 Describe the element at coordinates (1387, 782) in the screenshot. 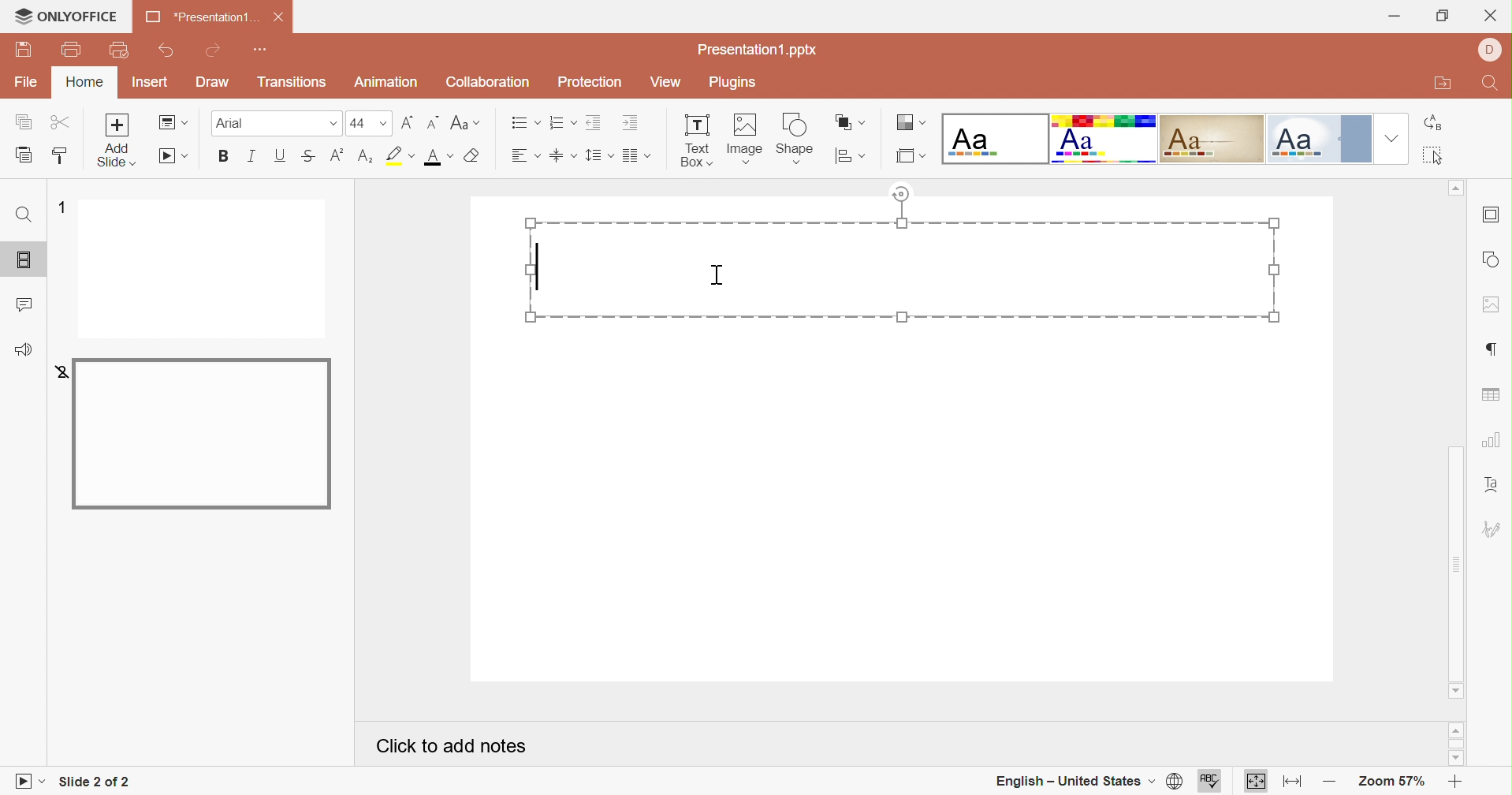

I see `Zoom 57%` at that location.